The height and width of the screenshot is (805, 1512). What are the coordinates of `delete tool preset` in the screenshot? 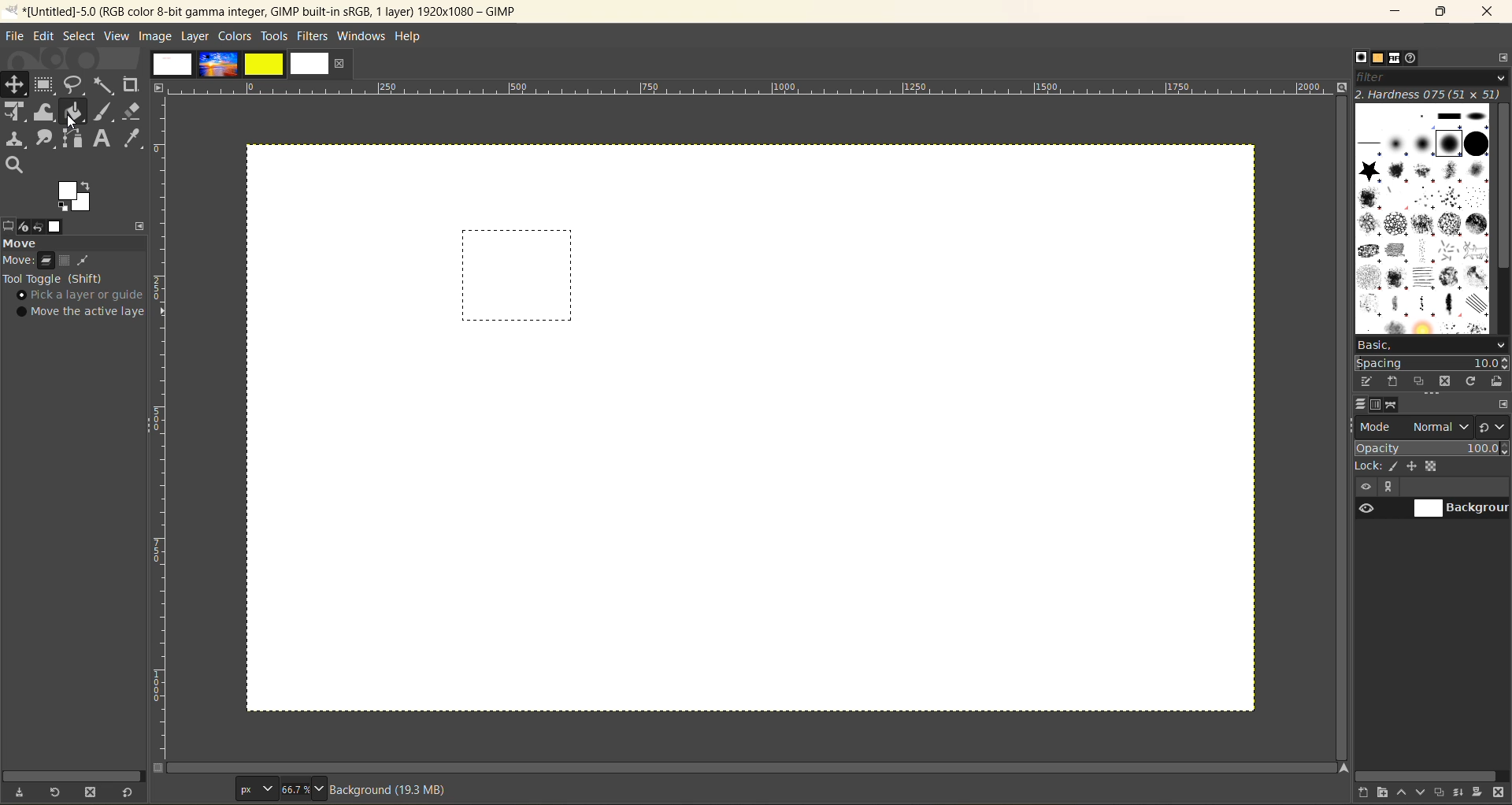 It's located at (91, 791).